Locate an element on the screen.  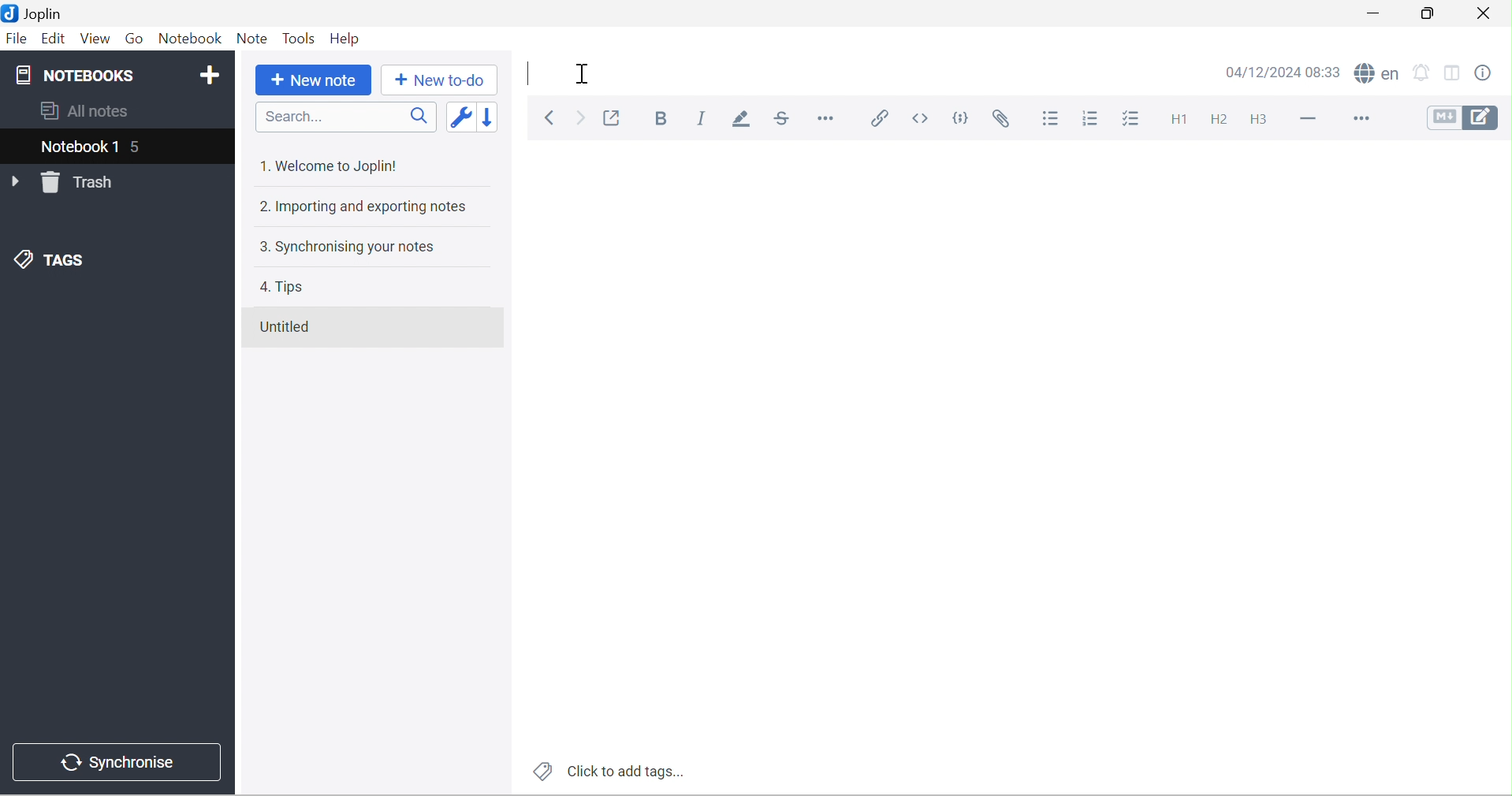
Inline code is located at coordinates (919, 119).